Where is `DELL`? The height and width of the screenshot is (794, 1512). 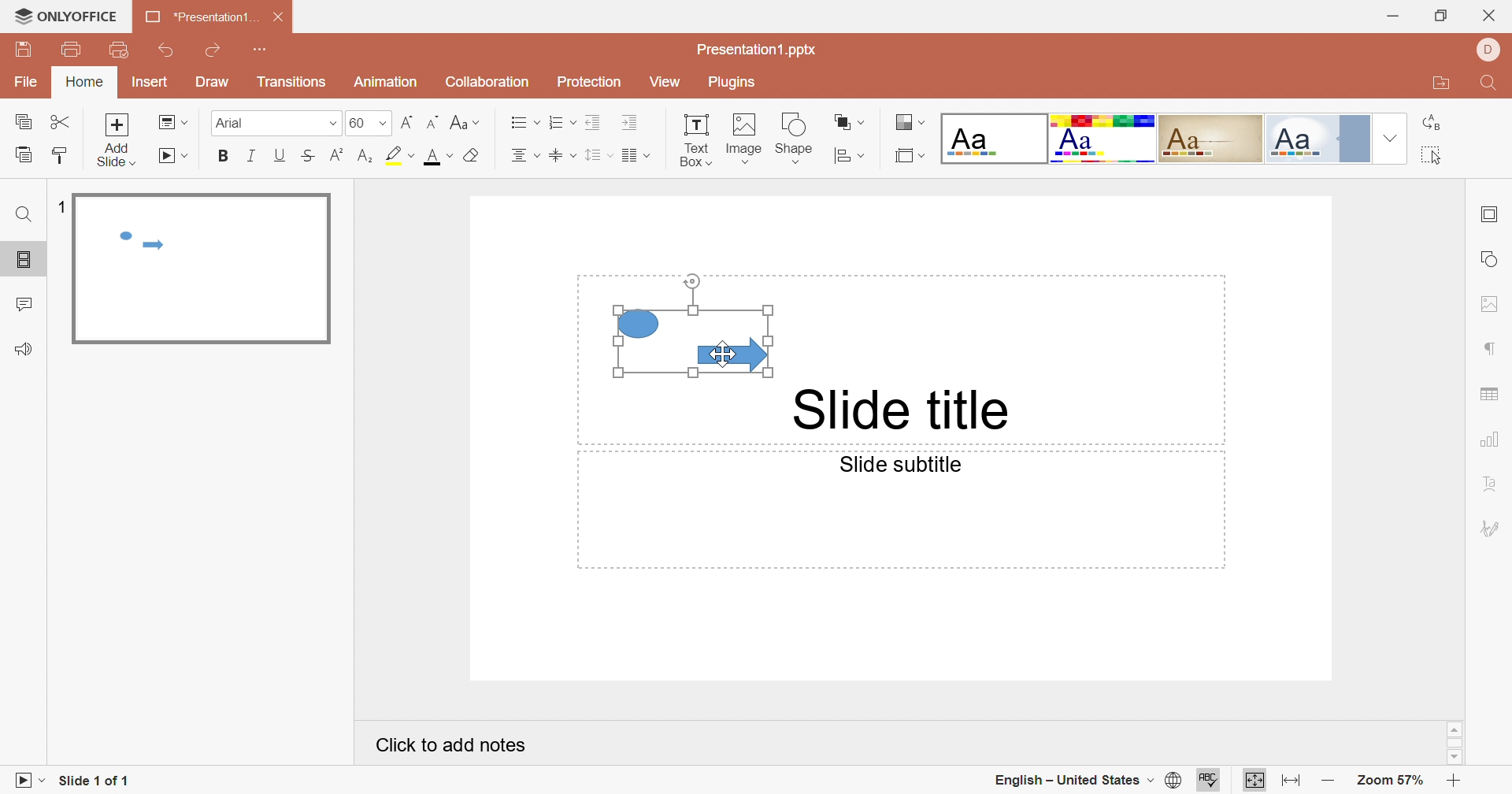 DELL is located at coordinates (1491, 50).